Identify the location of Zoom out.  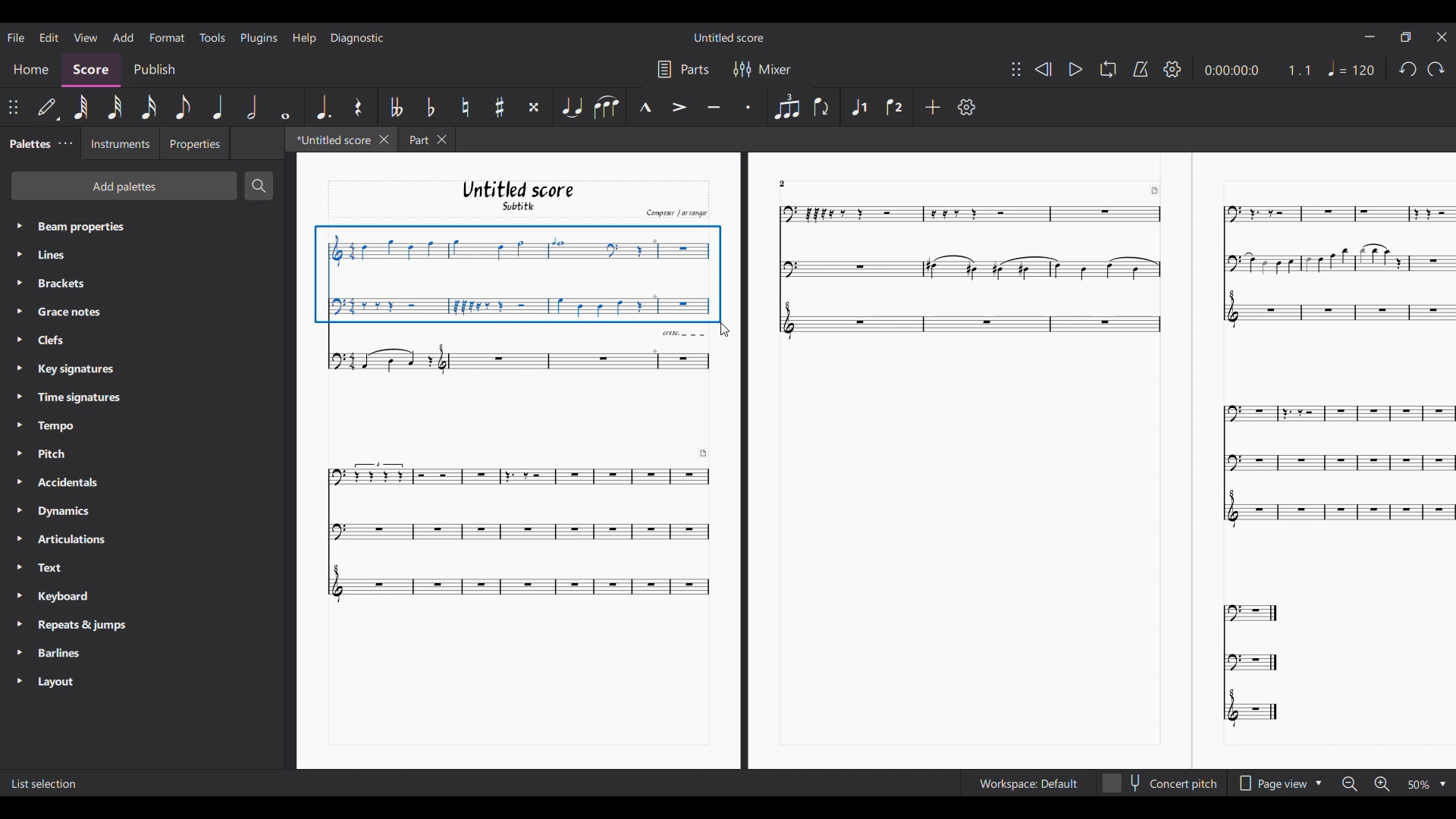
(1350, 785).